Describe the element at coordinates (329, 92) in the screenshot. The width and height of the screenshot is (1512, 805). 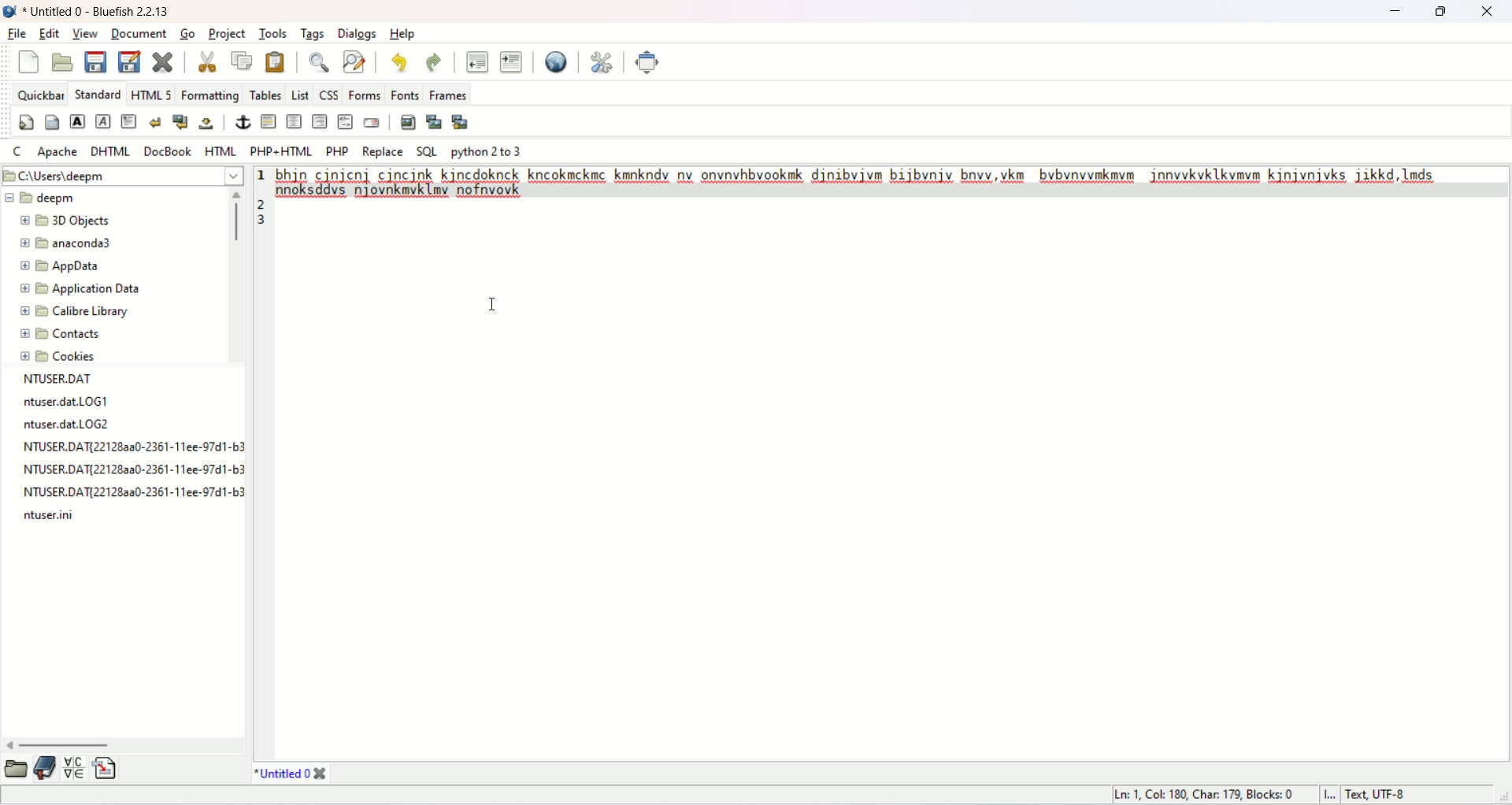
I see `CSS` at that location.